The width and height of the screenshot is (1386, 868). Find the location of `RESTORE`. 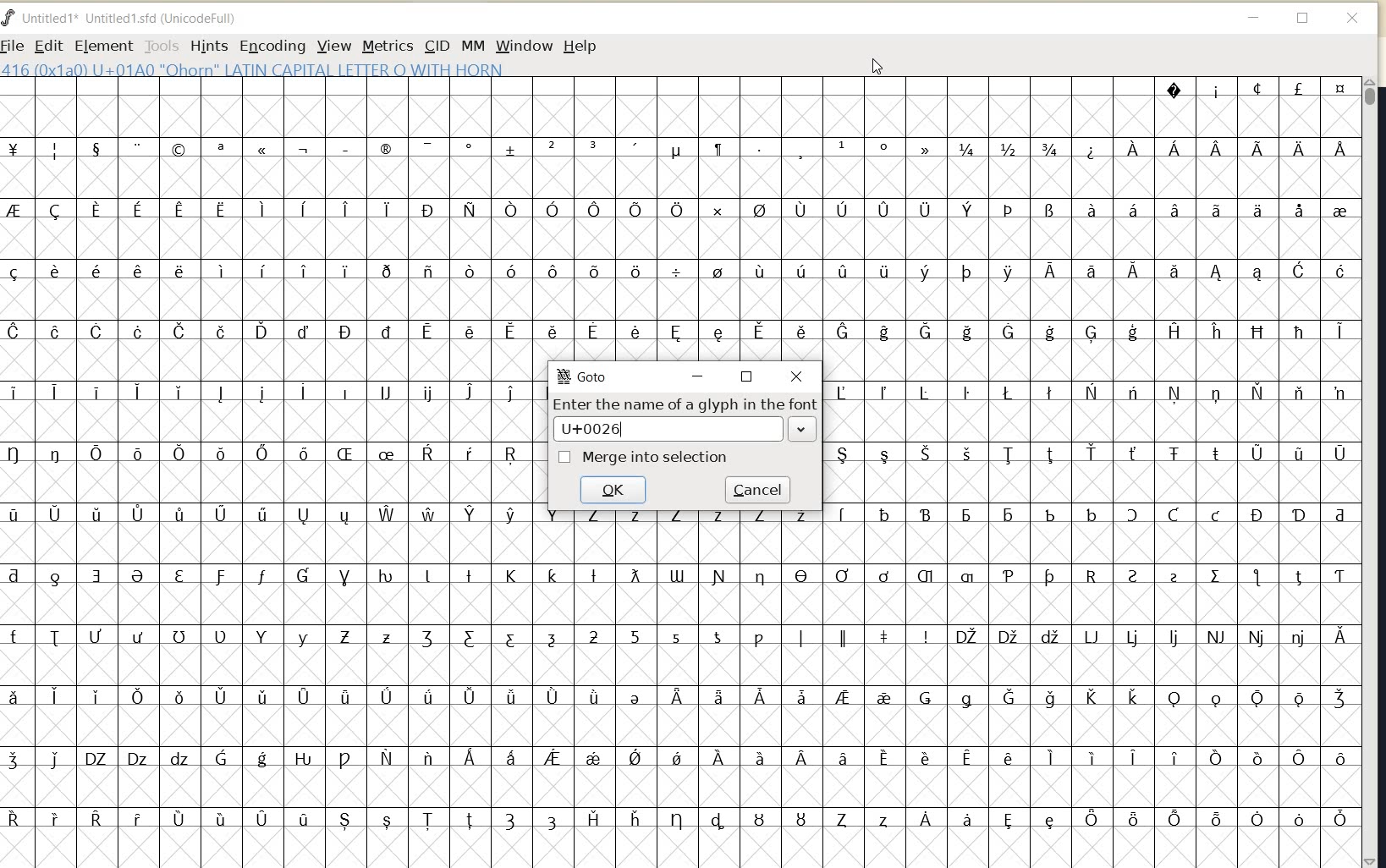

RESTORE is located at coordinates (1302, 19).